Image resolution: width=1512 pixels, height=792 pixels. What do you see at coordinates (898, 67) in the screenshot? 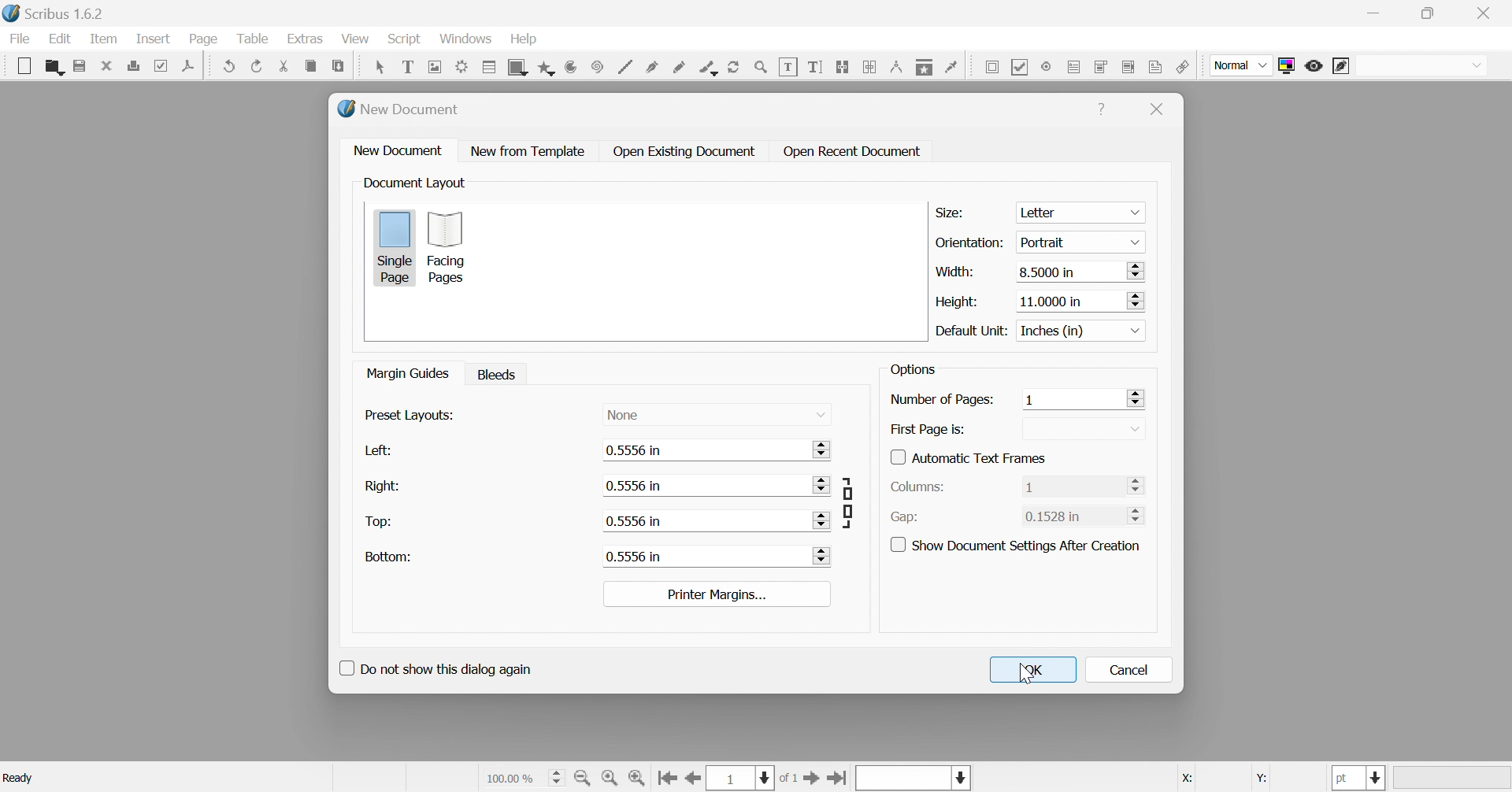
I see `measurements` at bounding box center [898, 67].